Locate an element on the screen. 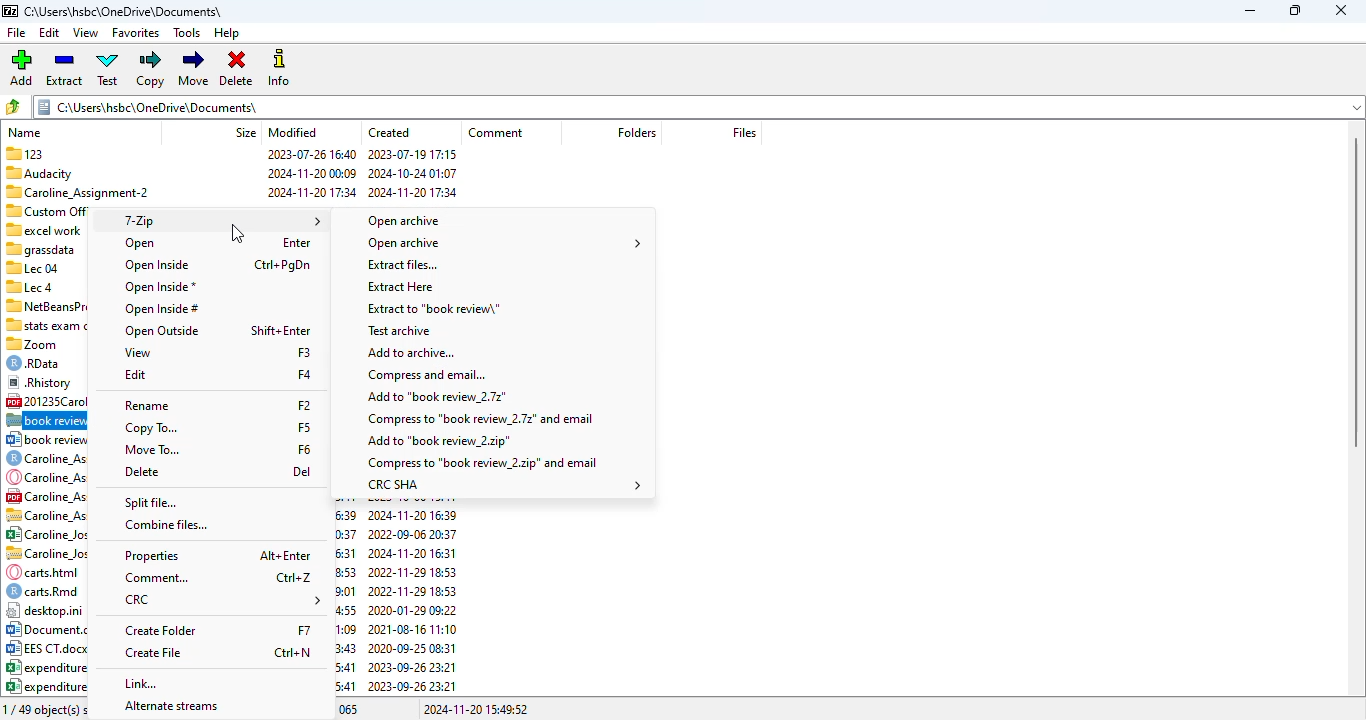 The image size is (1366, 720). shortcut for move to is located at coordinates (303, 449).